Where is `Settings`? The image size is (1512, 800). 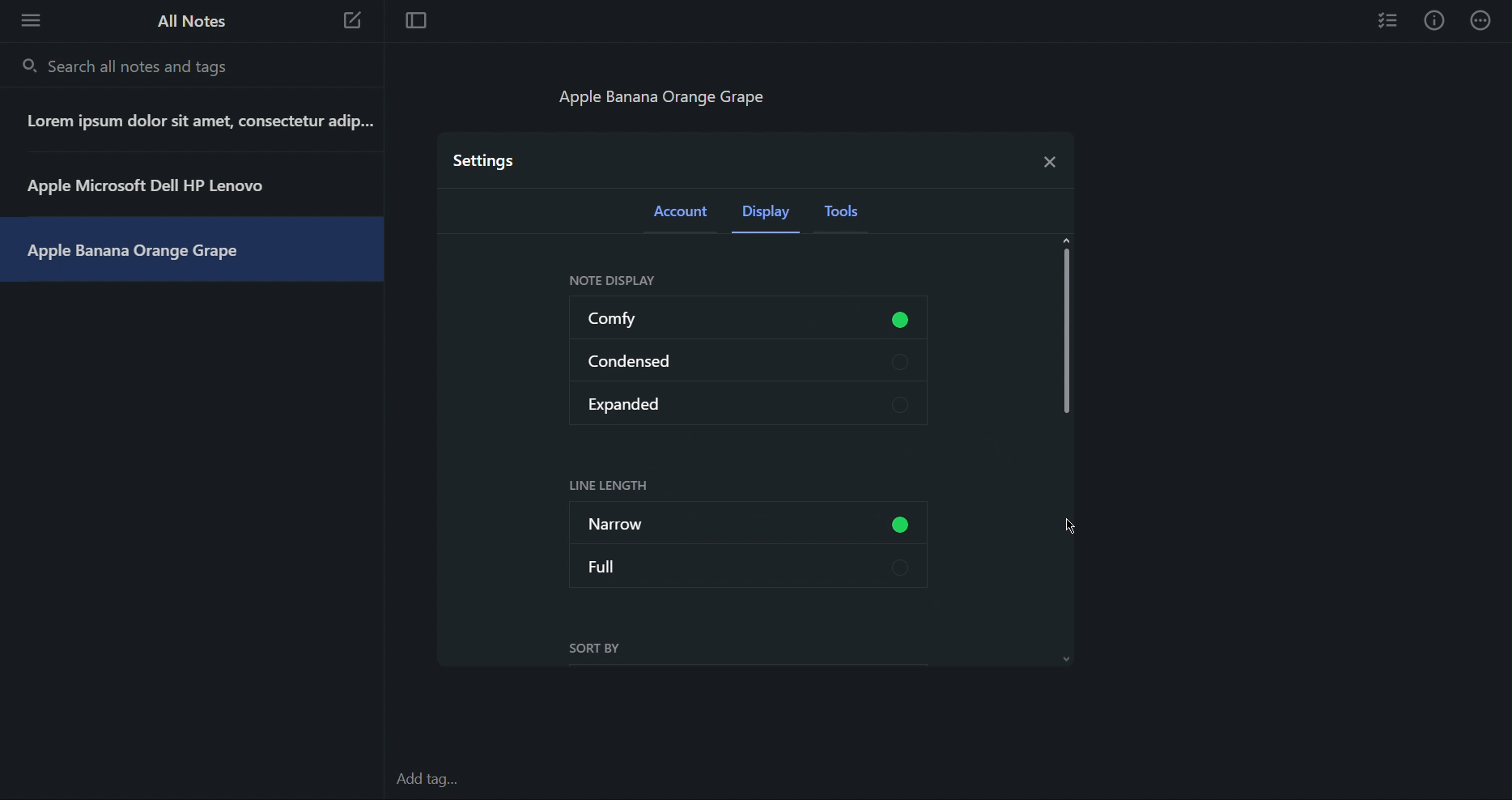
Settings is located at coordinates (486, 160).